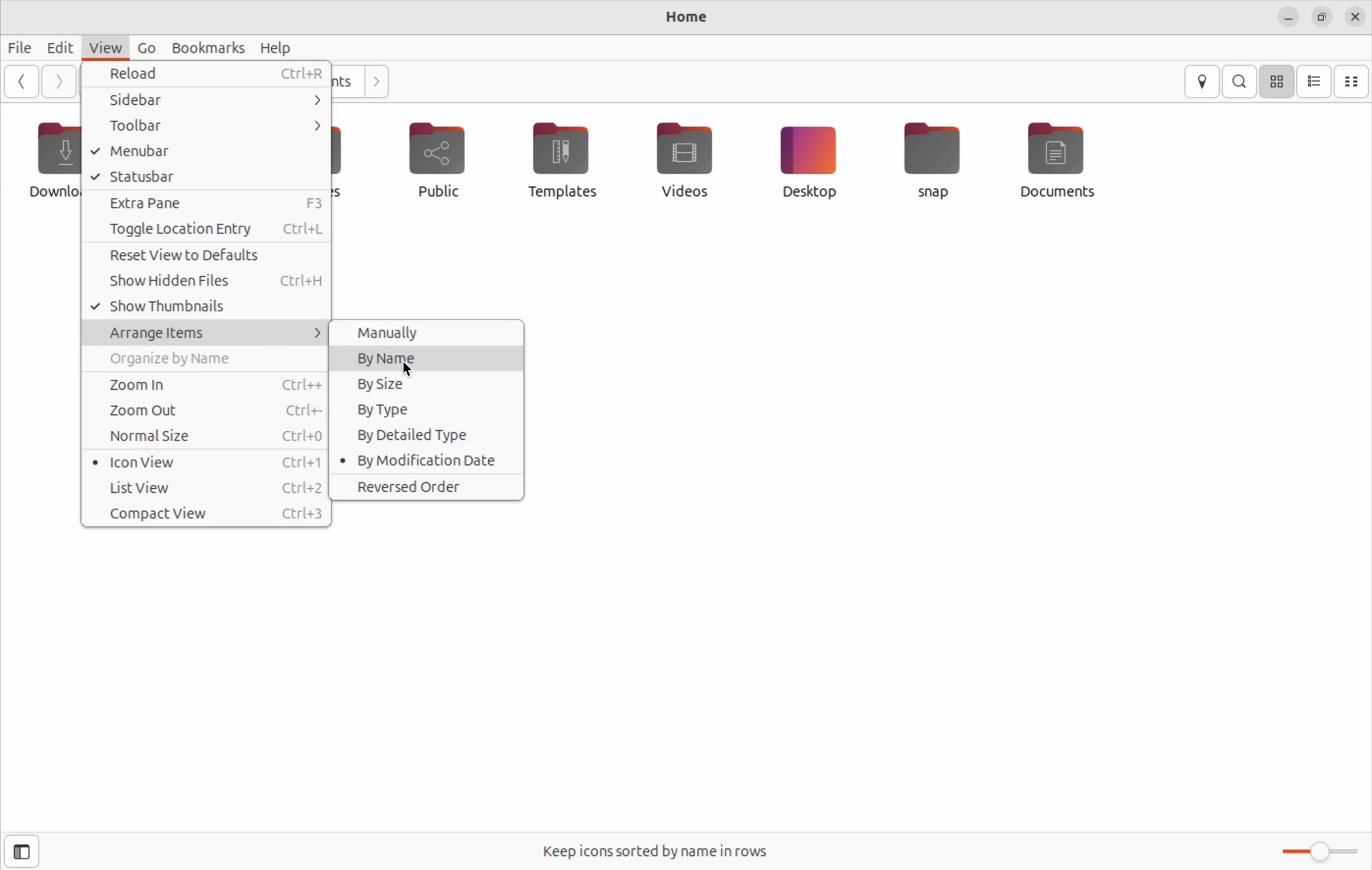 The height and width of the screenshot is (870, 1372). I want to click on manually , so click(428, 333).